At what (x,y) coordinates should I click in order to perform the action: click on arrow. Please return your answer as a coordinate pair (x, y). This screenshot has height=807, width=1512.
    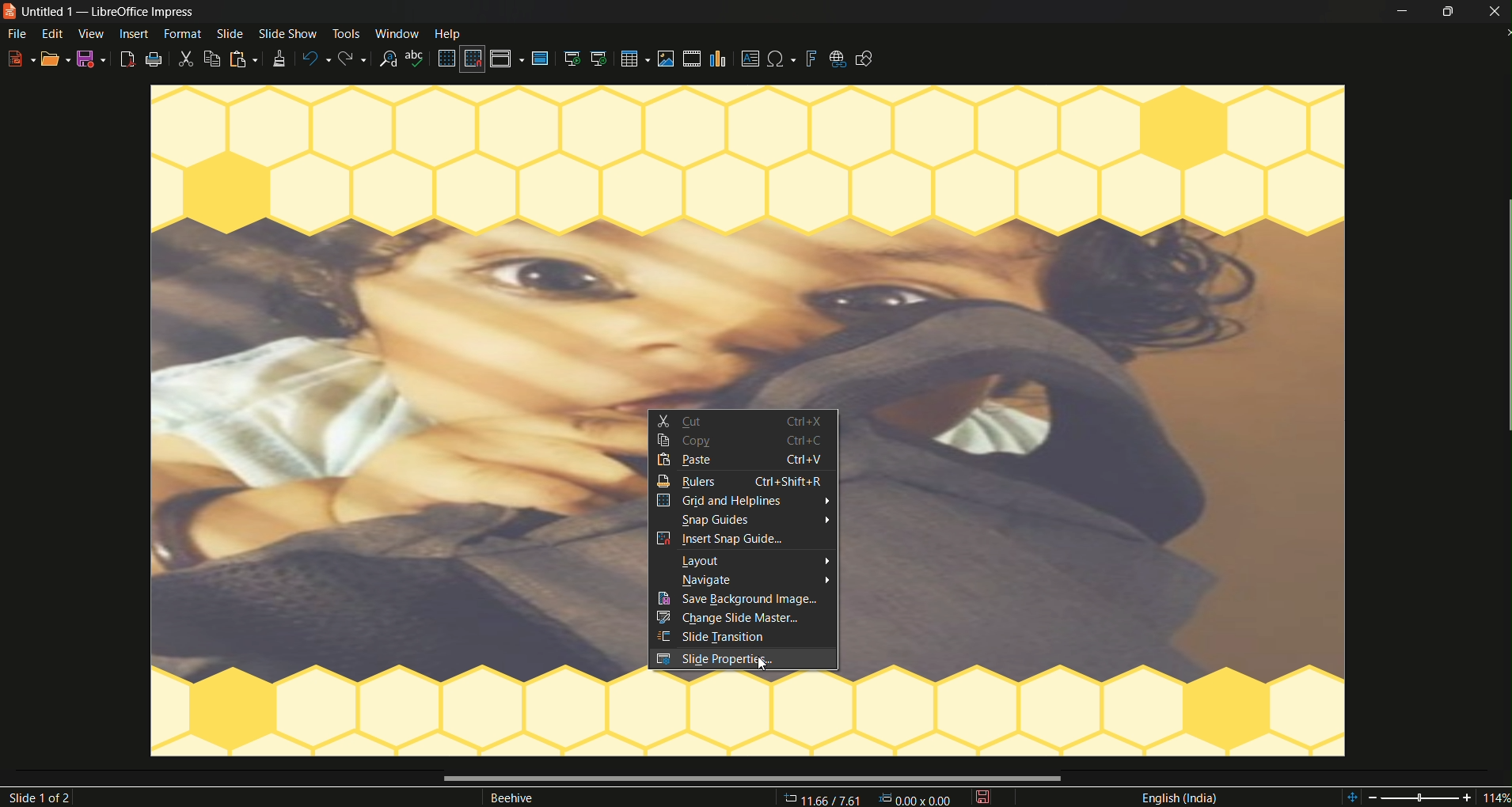
    Looking at the image, I should click on (826, 520).